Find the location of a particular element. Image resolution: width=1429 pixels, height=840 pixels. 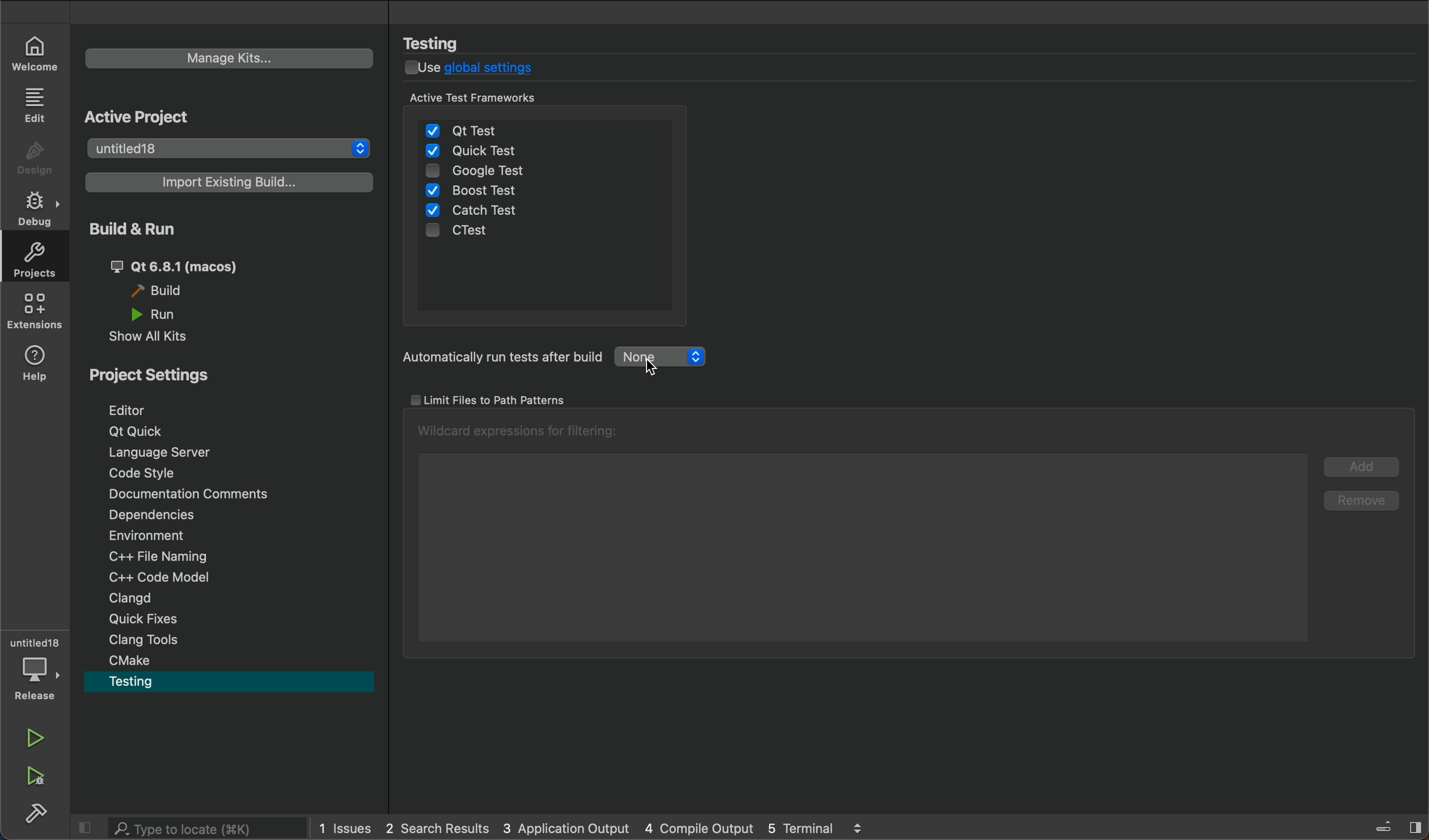

active test is located at coordinates (547, 99).